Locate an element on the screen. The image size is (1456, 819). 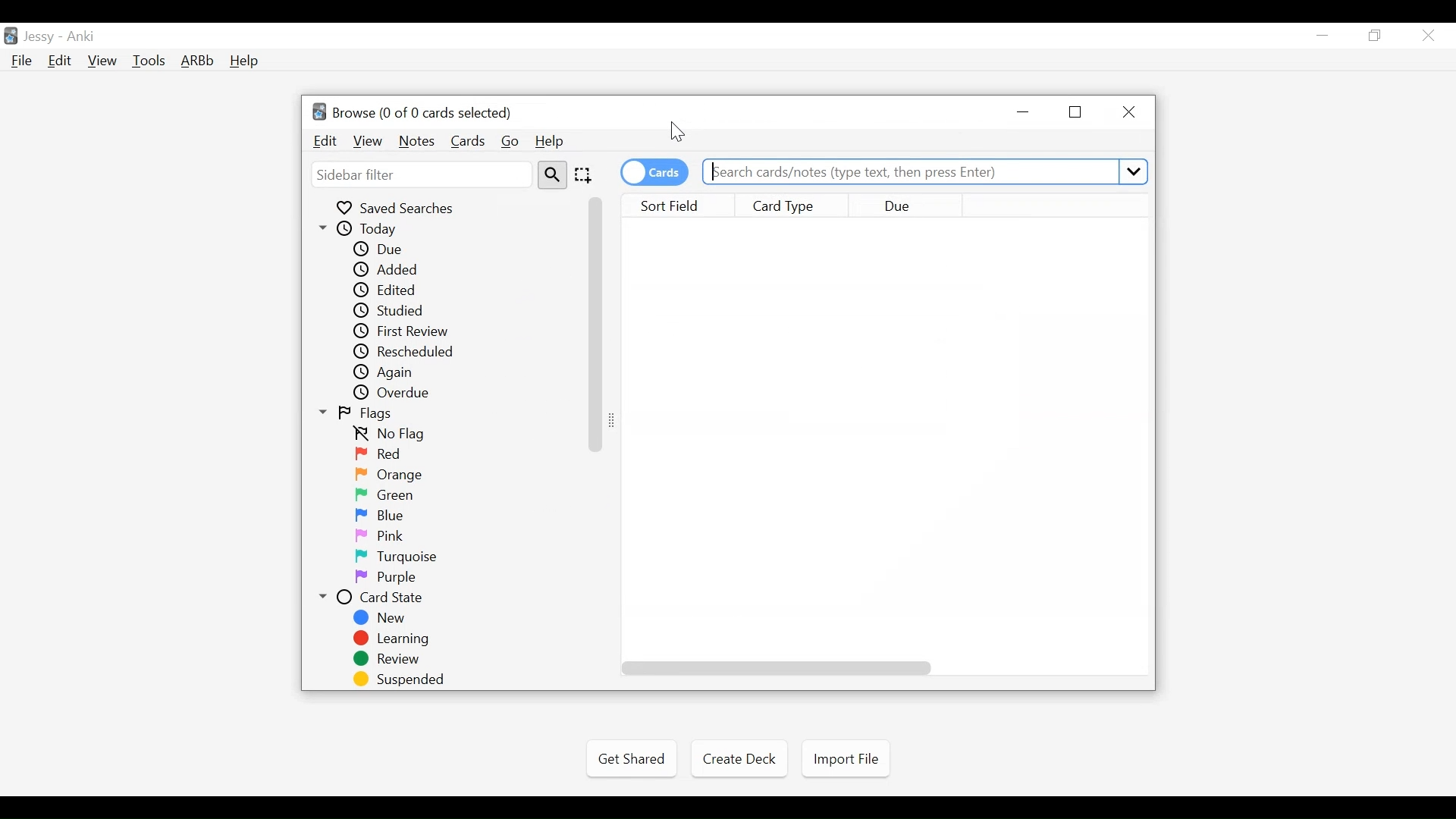
Edit is located at coordinates (61, 61).